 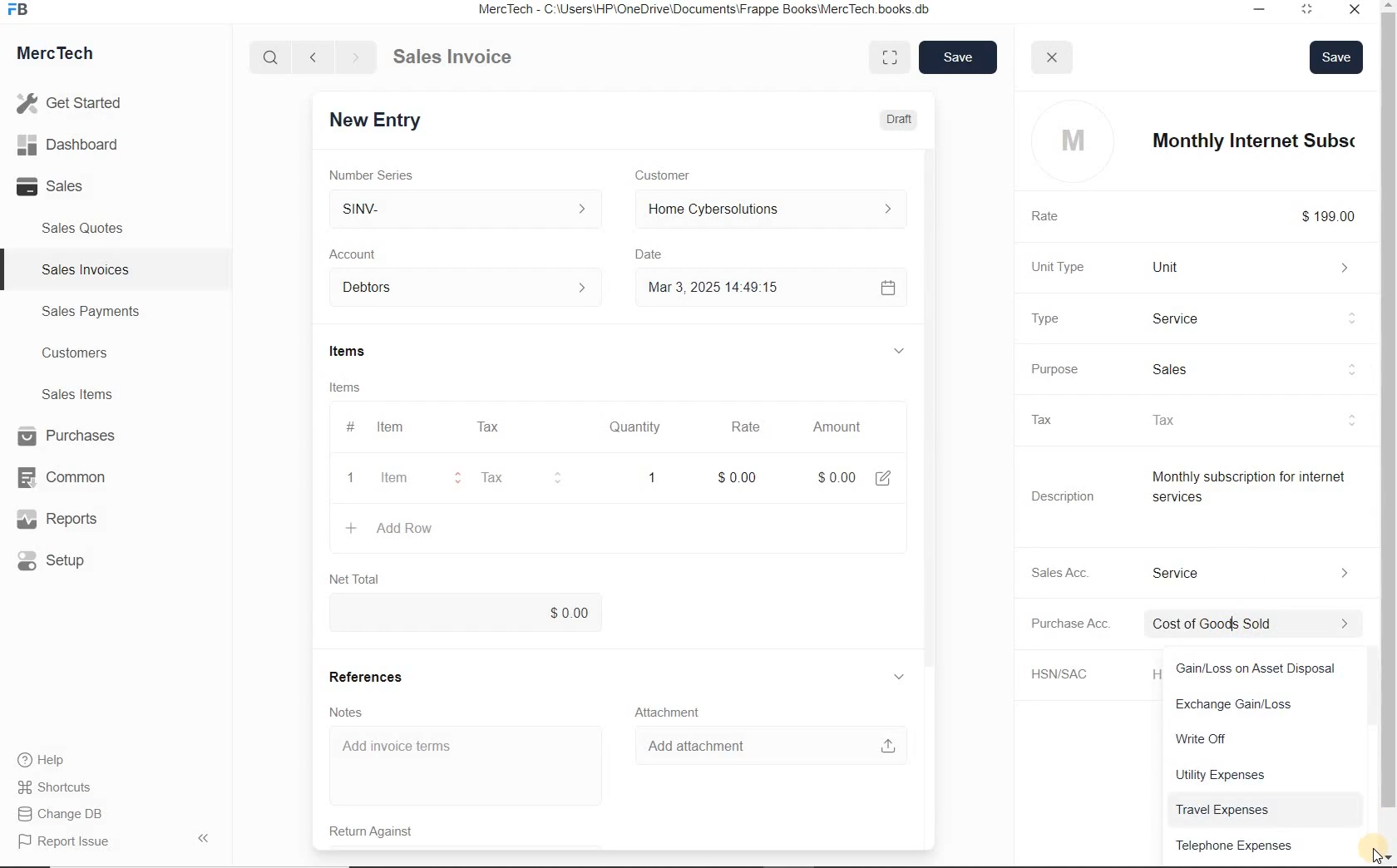 What do you see at coordinates (1073, 572) in the screenshot?
I see `Sales Acc.` at bounding box center [1073, 572].